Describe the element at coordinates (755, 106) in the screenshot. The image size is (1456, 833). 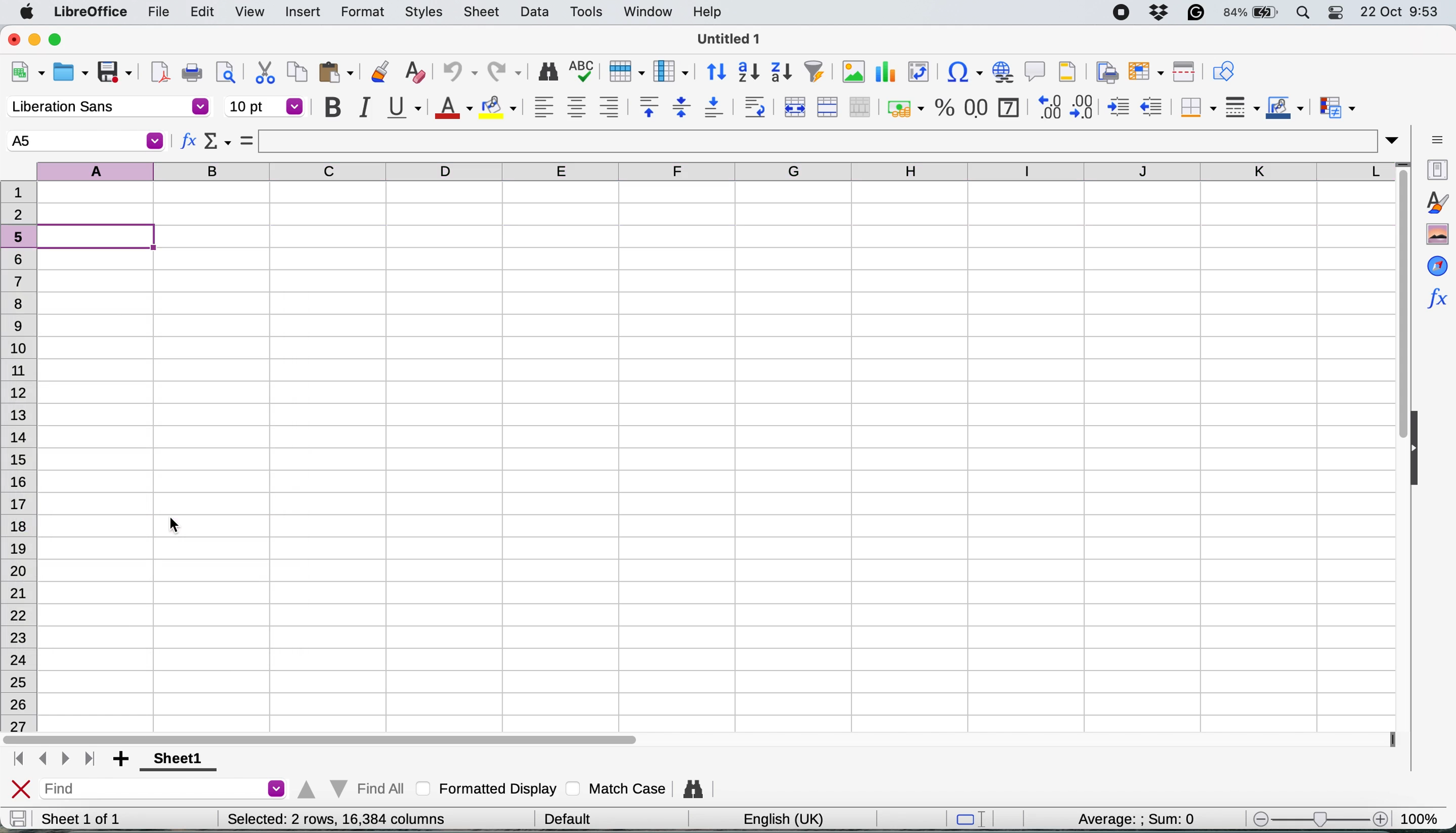
I see `wrap text` at that location.